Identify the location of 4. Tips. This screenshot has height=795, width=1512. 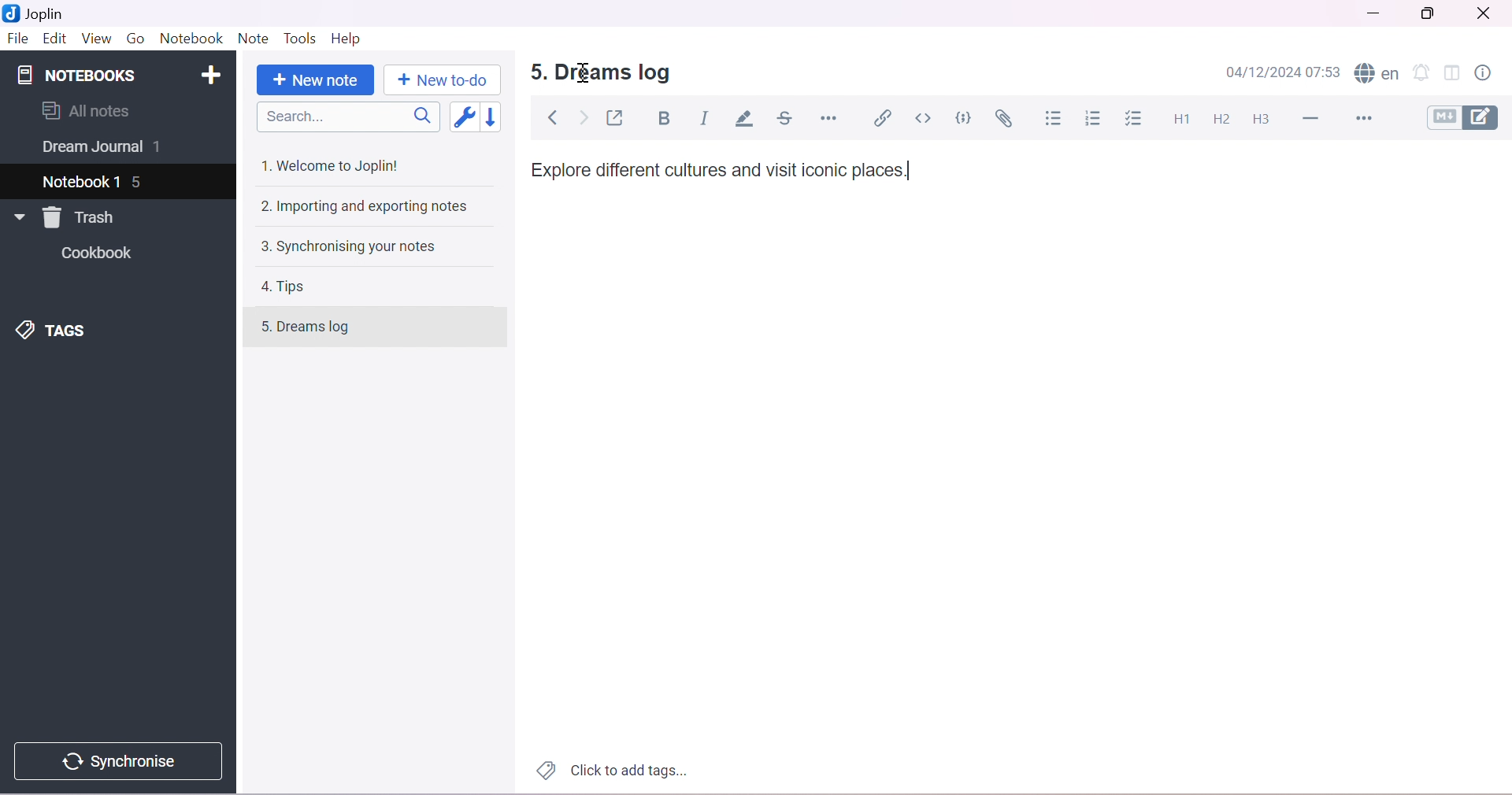
(290, 287).